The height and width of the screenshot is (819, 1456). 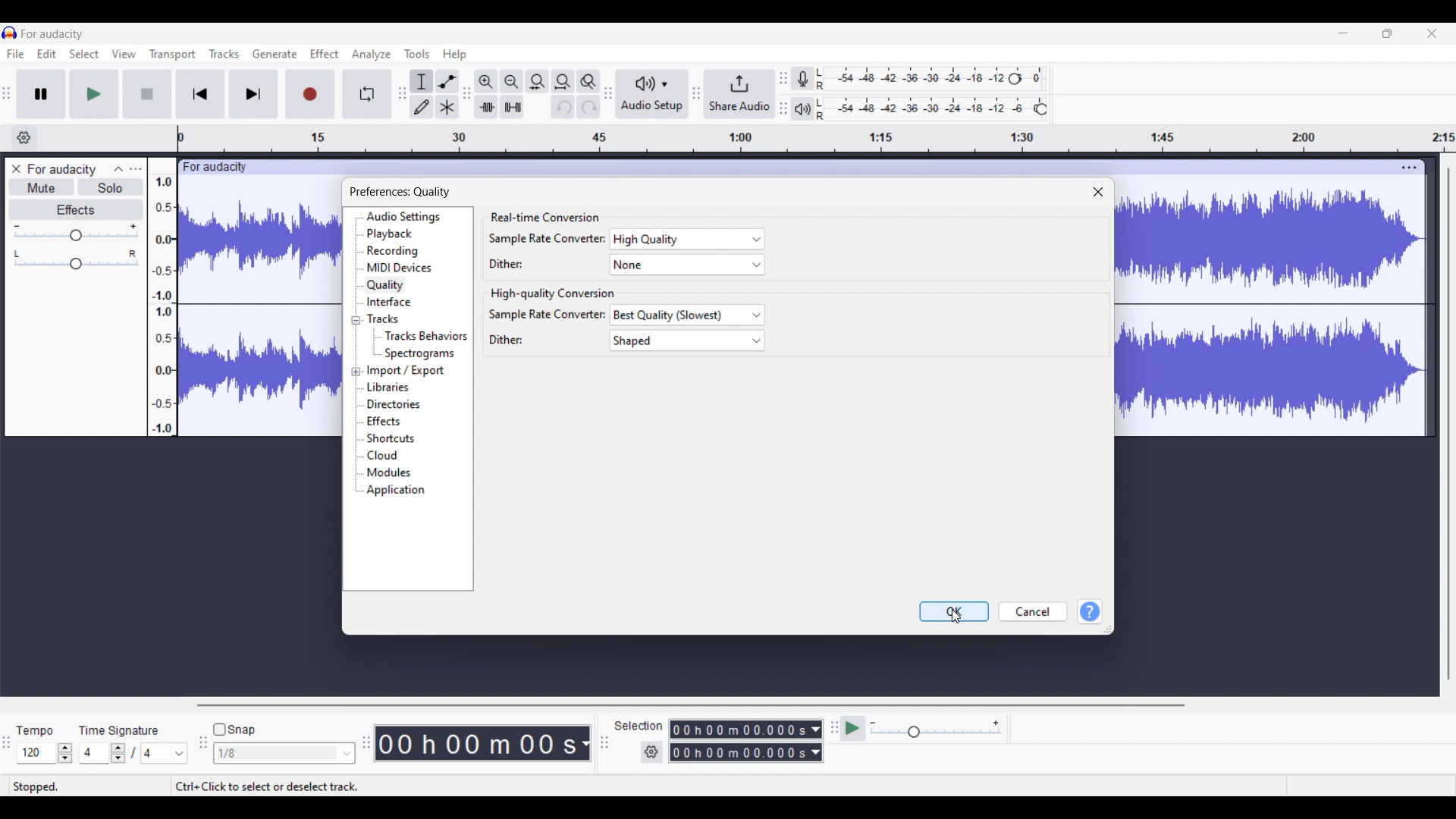 I want to click on Horizontal slide bar, so click(x=691, y=705).